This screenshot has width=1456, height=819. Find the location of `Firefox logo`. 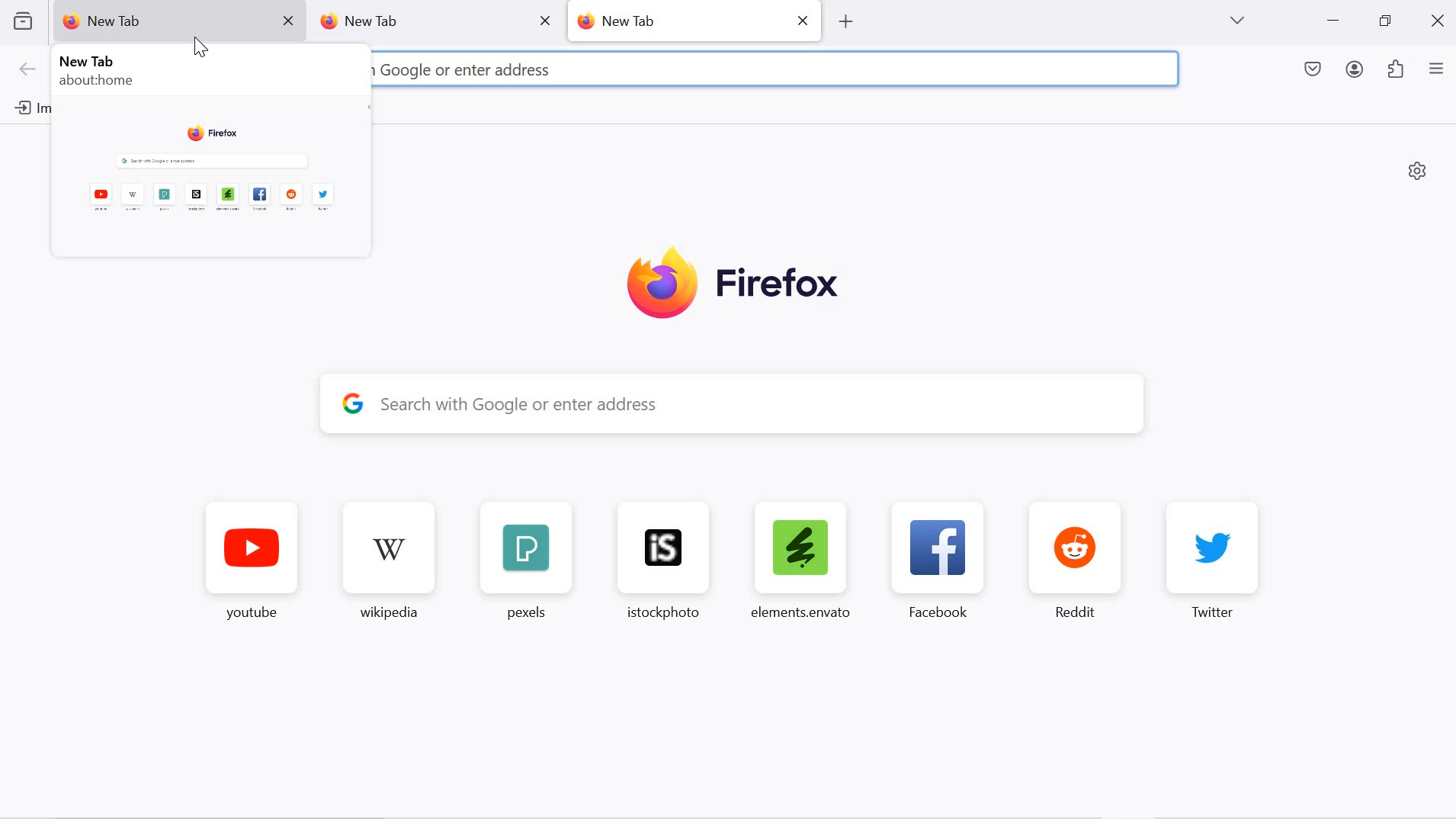

Firefox logo is located at coordinates (733, 285).